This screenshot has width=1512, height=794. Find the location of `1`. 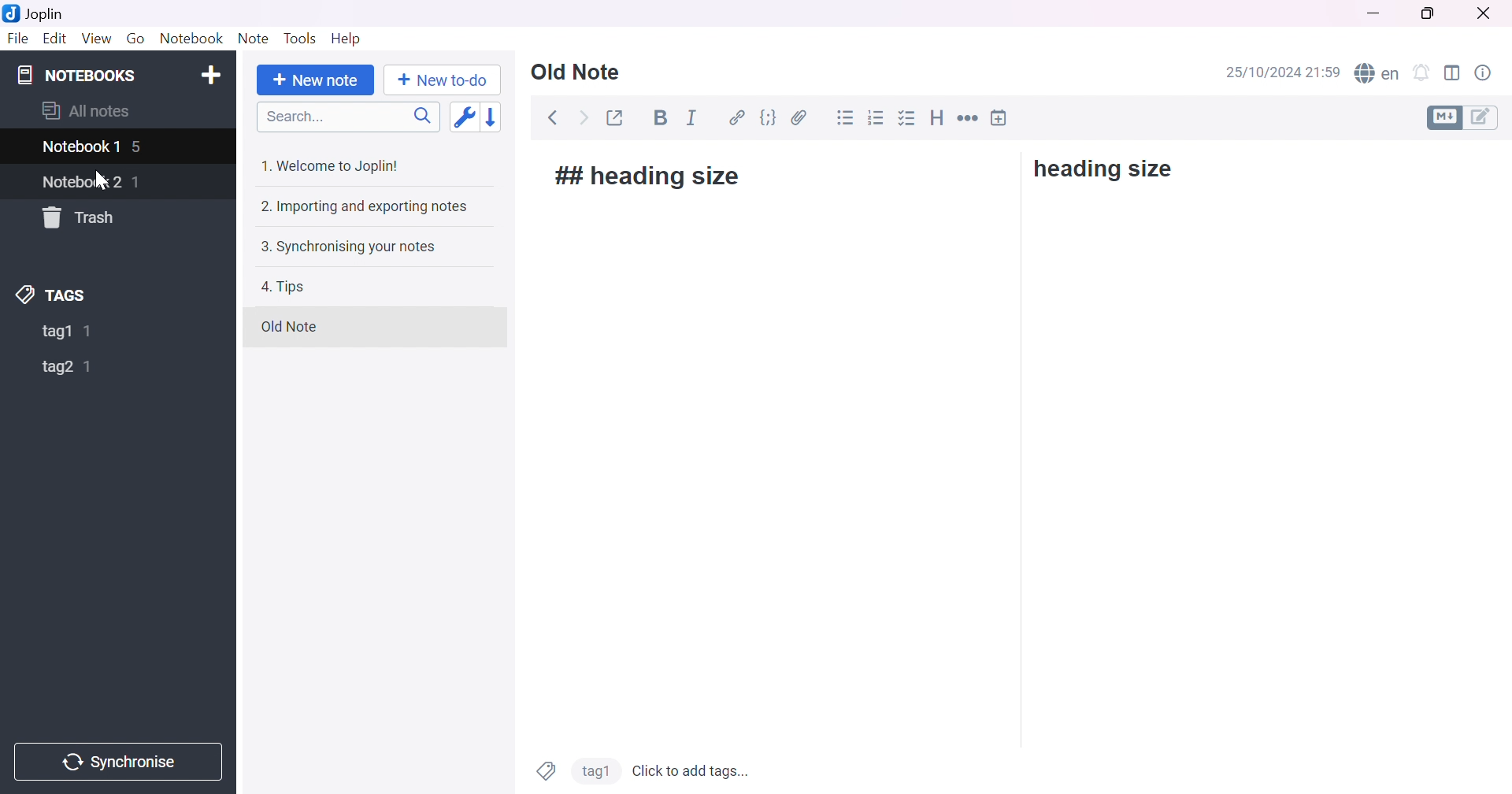

1 is located at coordinates (91, 331).